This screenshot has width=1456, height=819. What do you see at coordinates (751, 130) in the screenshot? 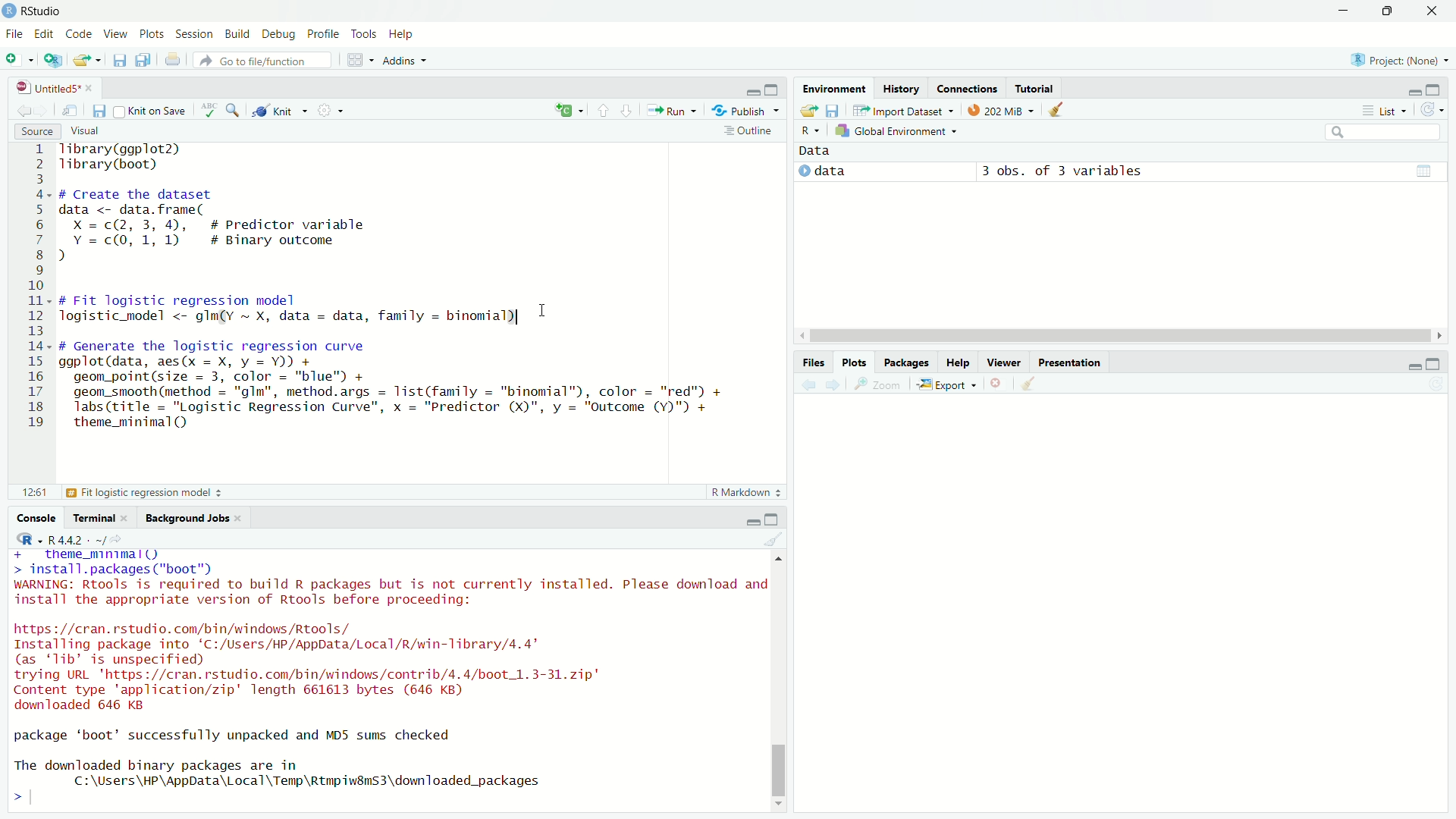
I see `Outline` at bounding box center [751, 130].